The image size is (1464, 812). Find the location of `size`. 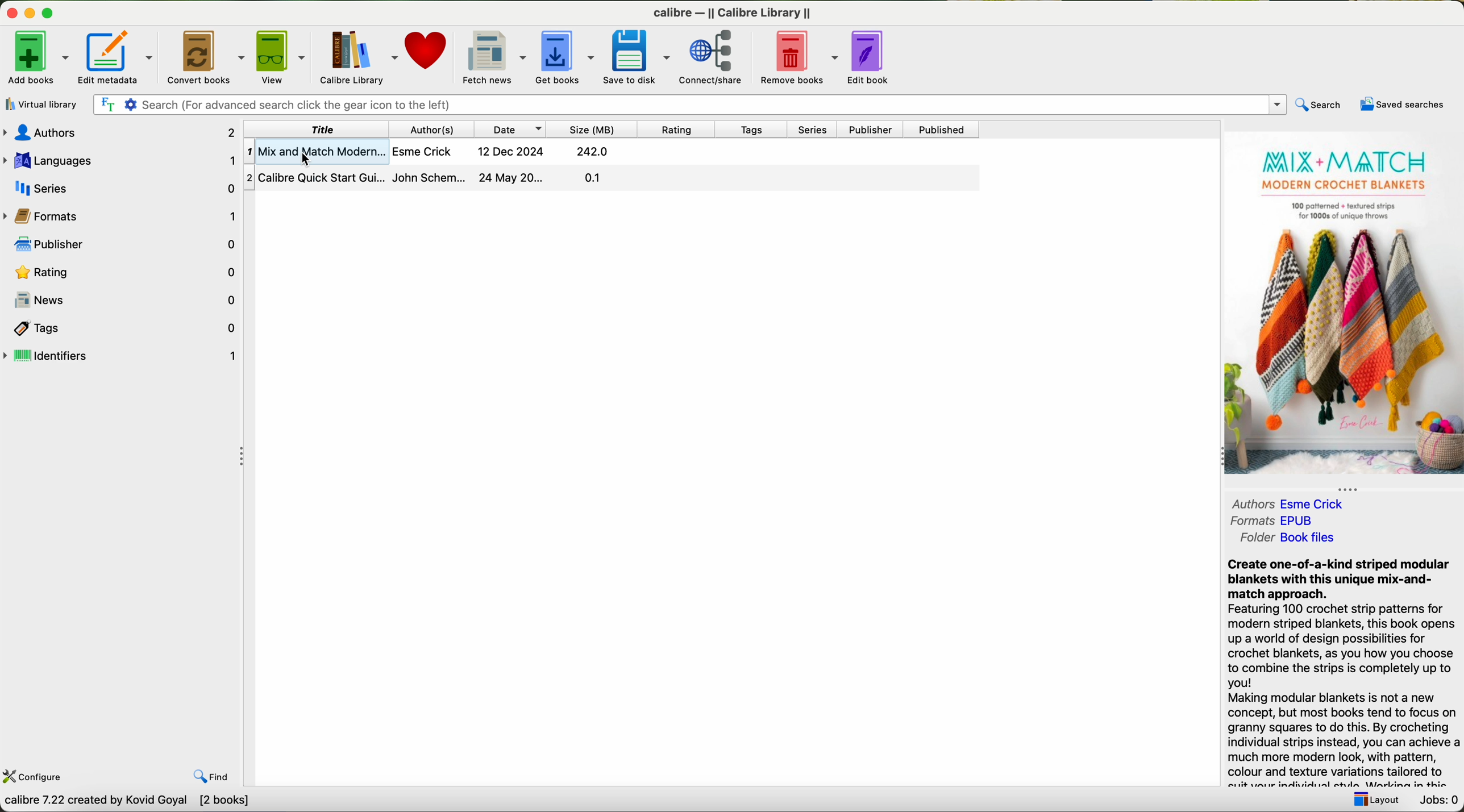

size is located at coordinates (594, 130).